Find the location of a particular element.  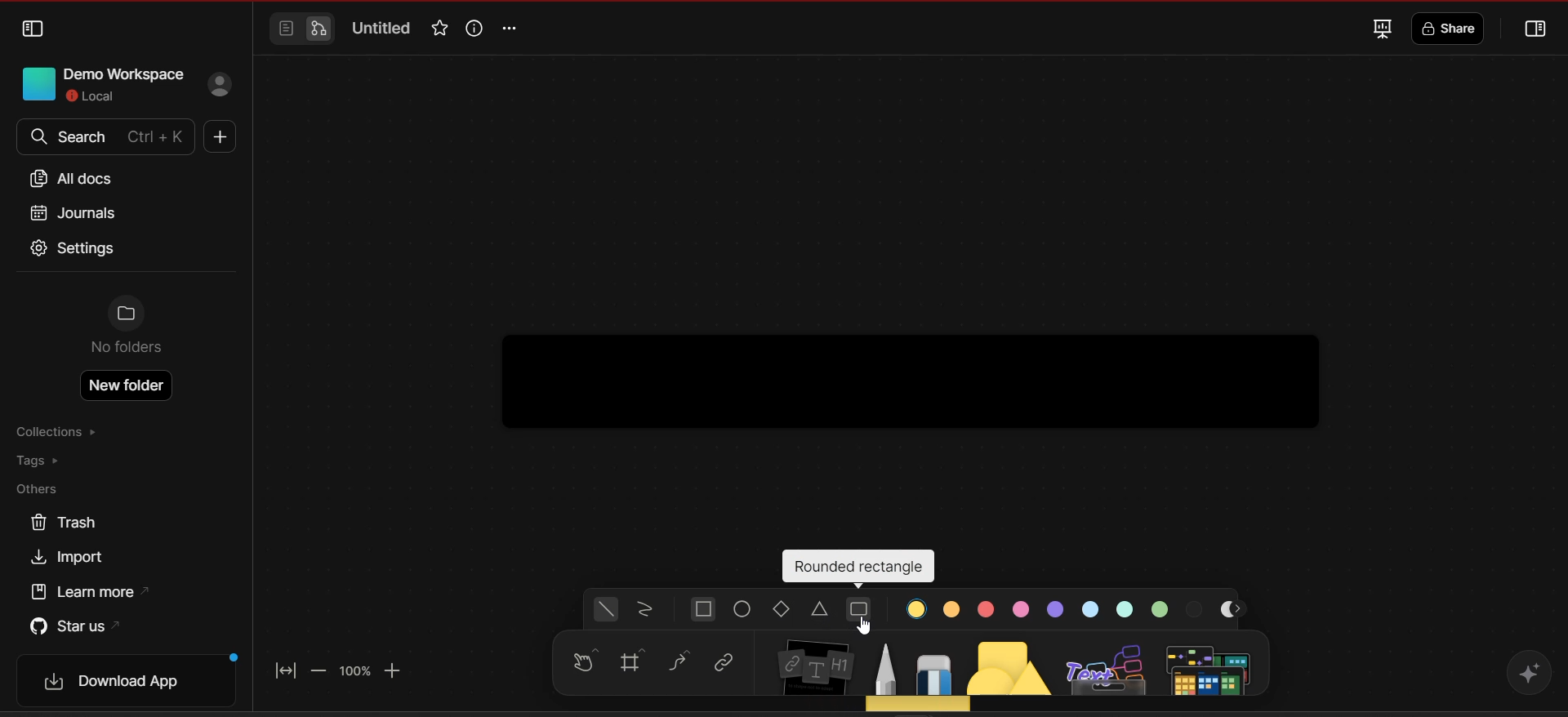

download app is located at coordinates (132, 681).